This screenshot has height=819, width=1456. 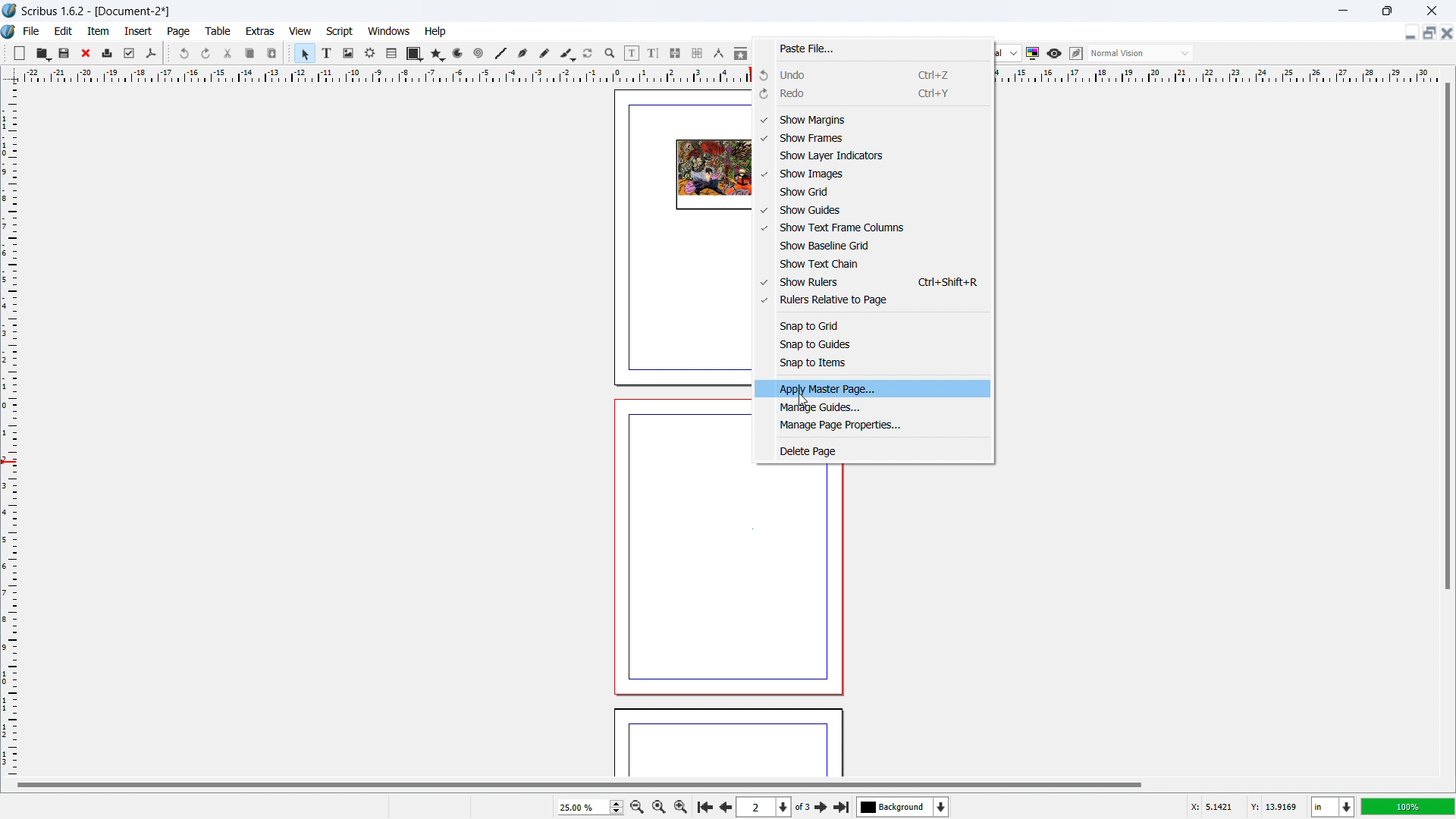 What do you see at coordinates (229, 53) in the screenshot?
I see `cut` at bounding box center [229, 53].